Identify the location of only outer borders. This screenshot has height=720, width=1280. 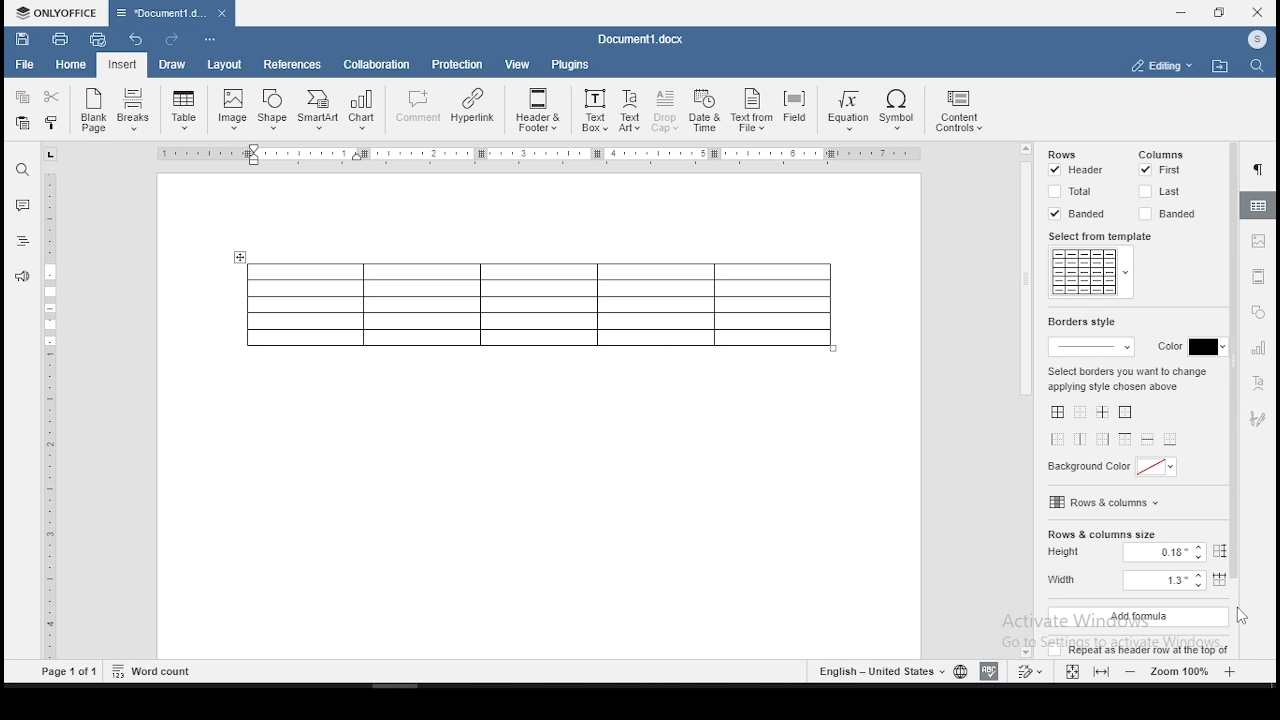
(1127, 413).